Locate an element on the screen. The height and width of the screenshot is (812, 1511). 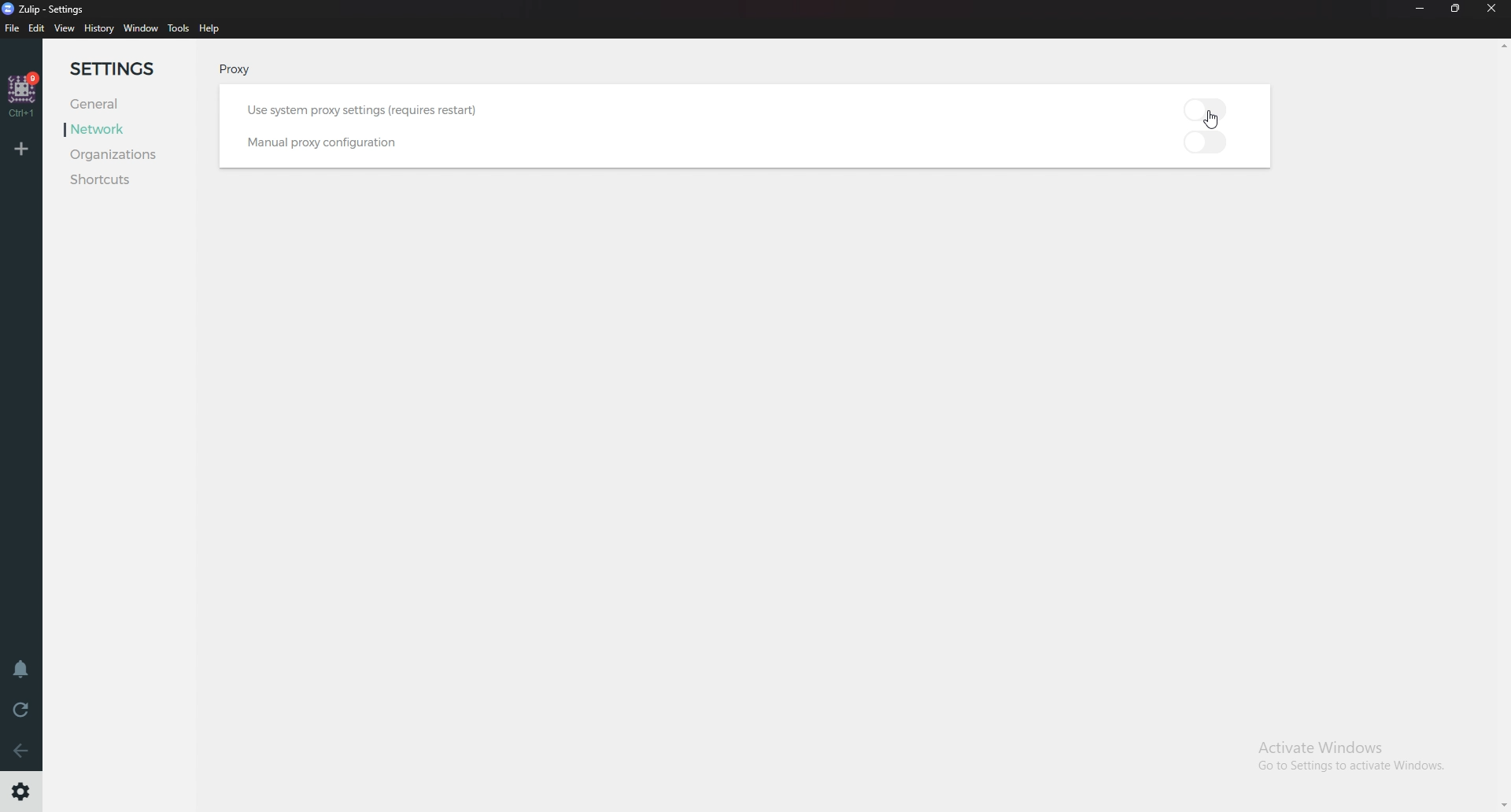
tools is located at coordinates (179, 28).